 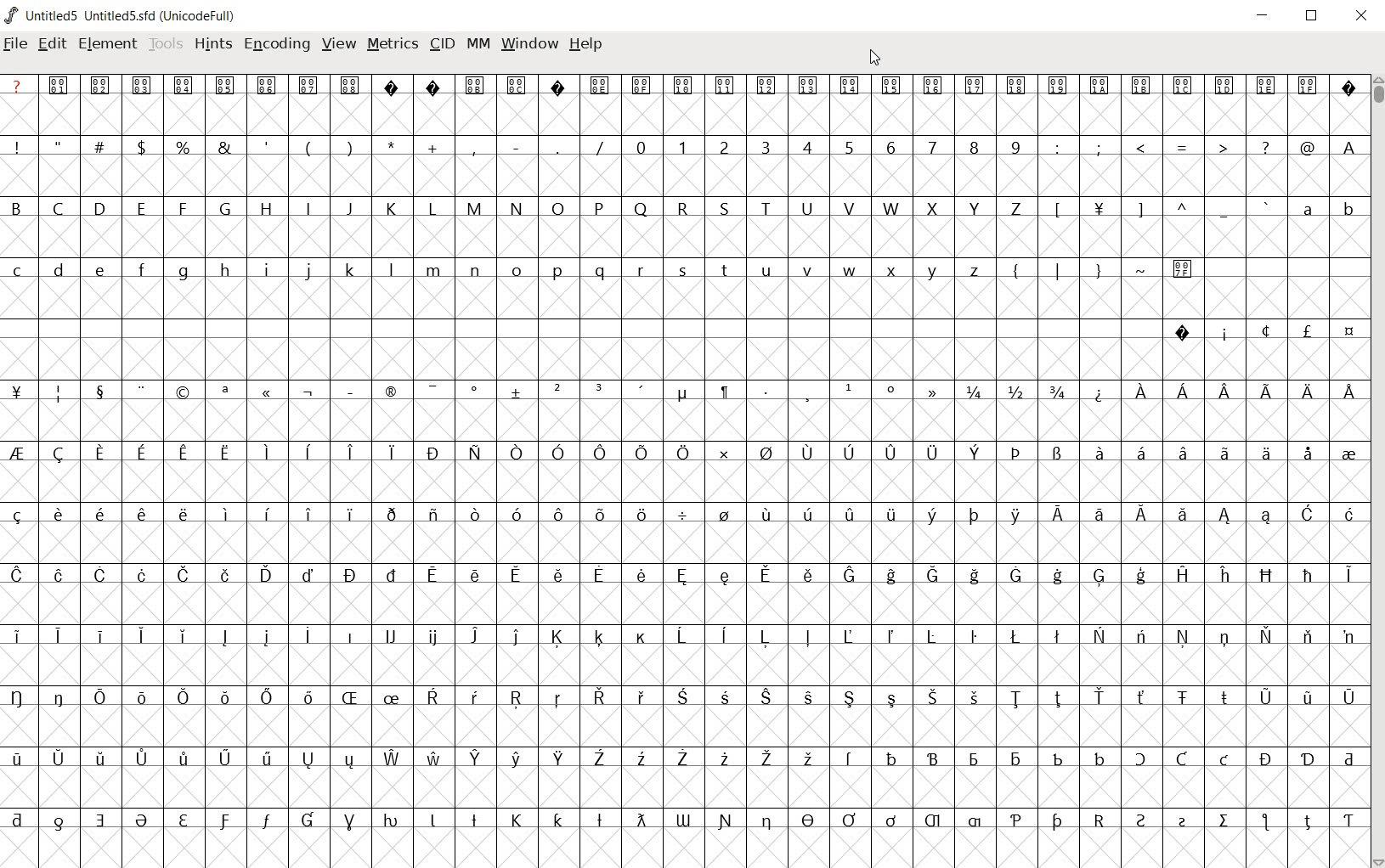 I want to click on Symbol, so click(x=390, y=513).